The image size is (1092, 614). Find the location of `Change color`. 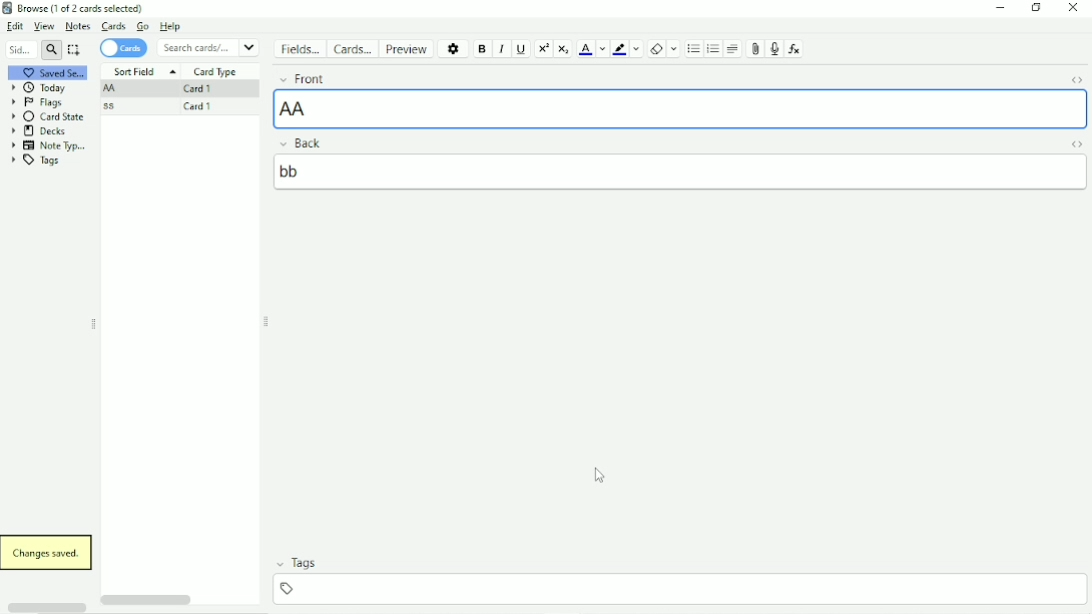

Change color is located at coordinates (636, 49).